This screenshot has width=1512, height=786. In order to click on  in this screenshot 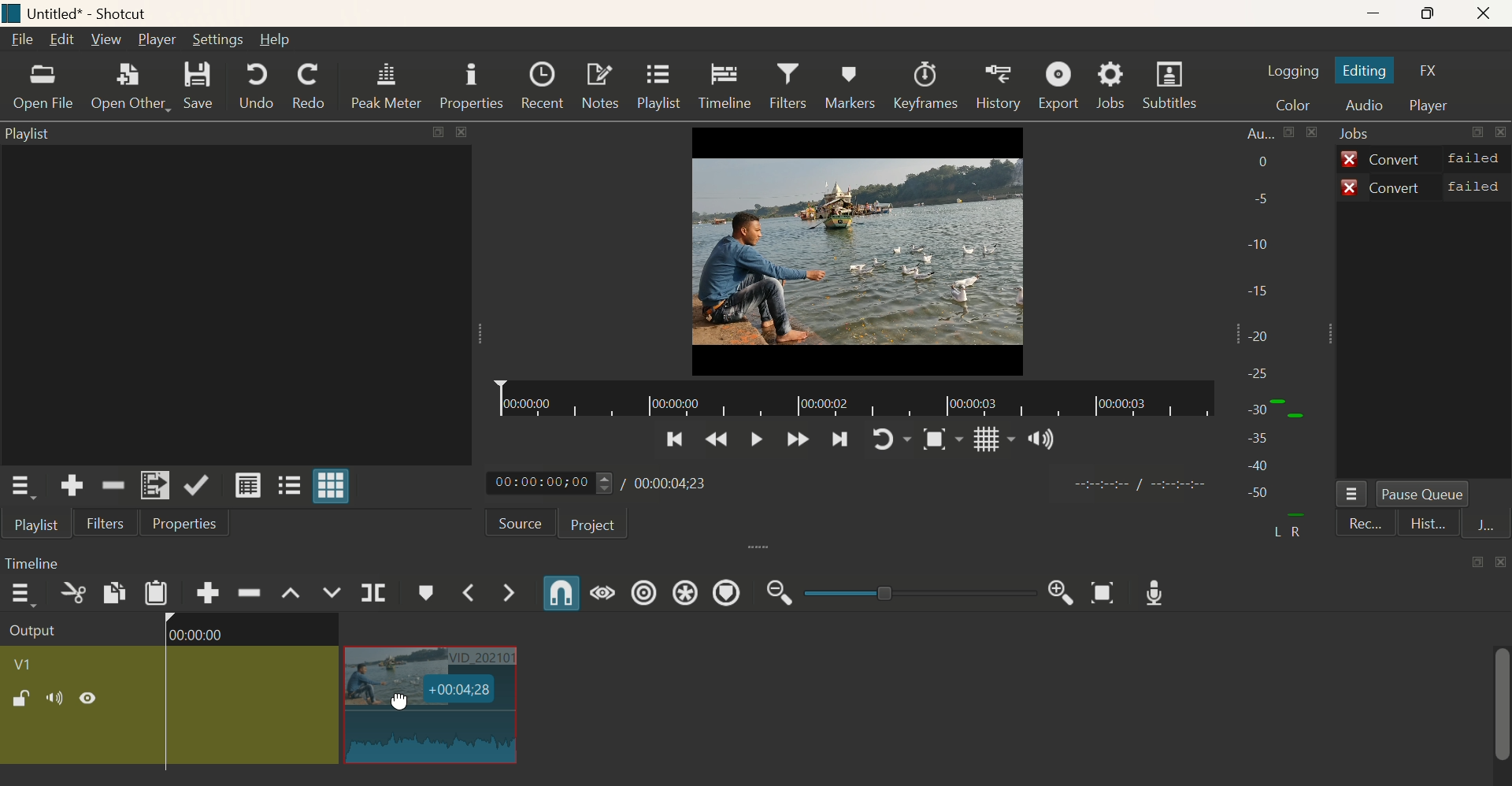, I will do `click(109, 484)`.